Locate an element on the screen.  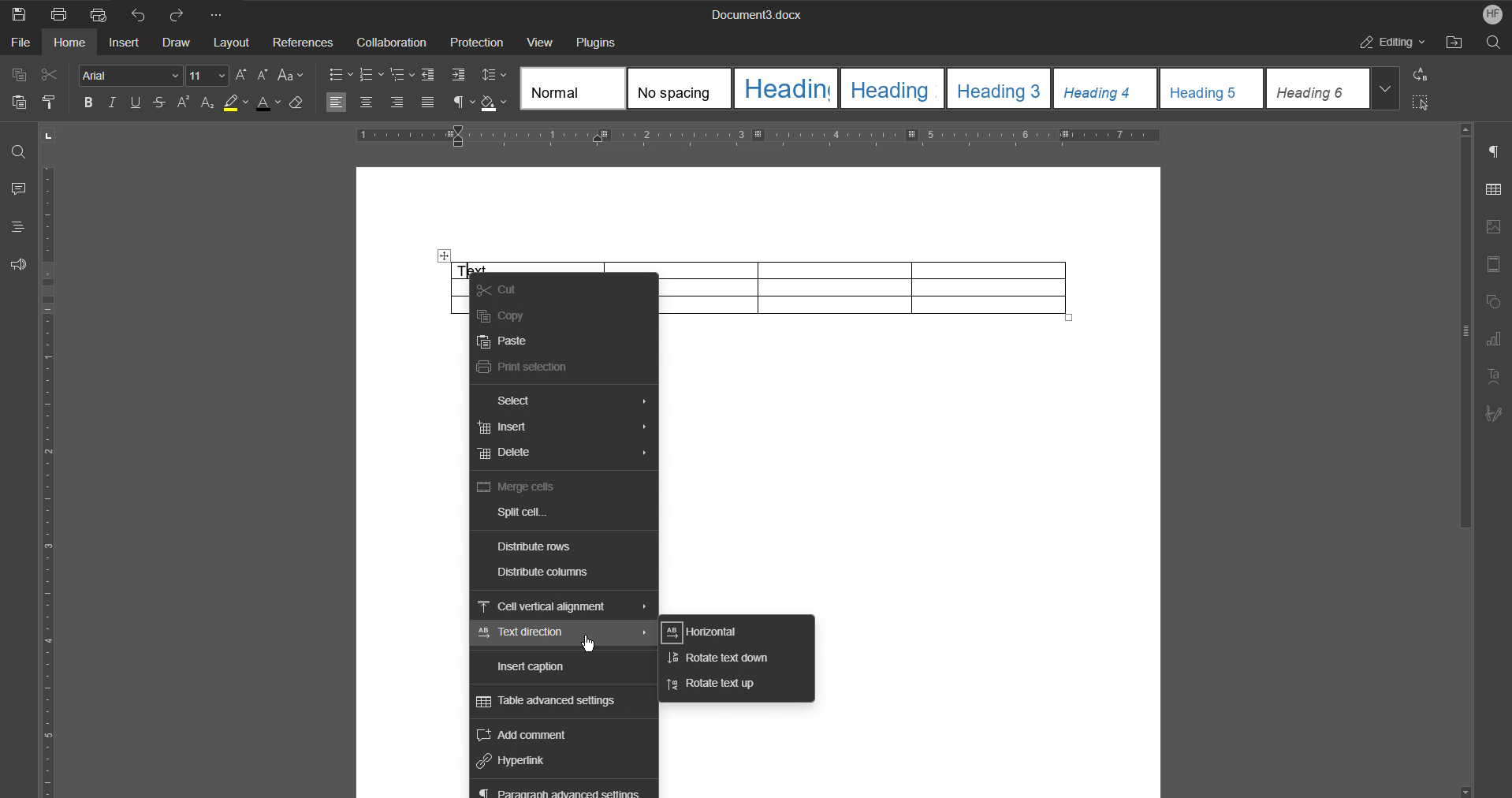
Distribute columns is located at coordinates (544, 573).